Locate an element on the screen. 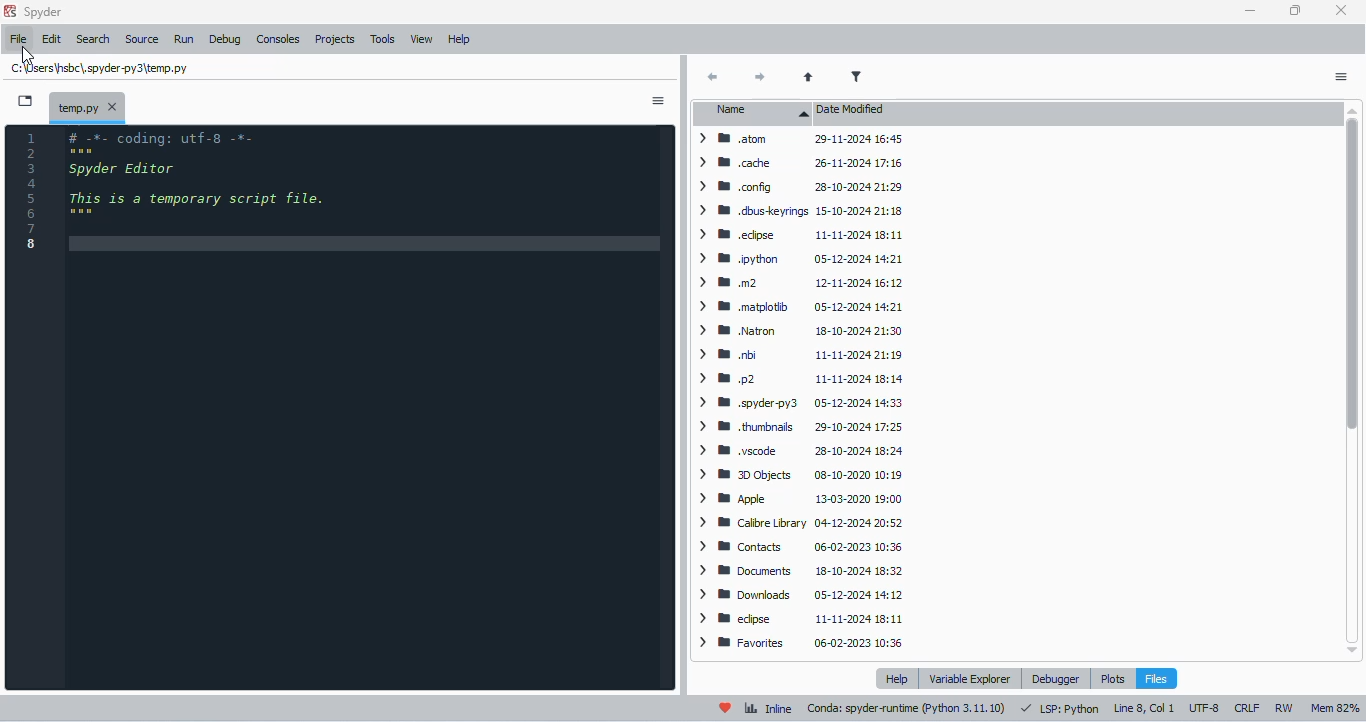  > BB DObjects 08-10-2020 10:19 is located at coordinates (798, 475).